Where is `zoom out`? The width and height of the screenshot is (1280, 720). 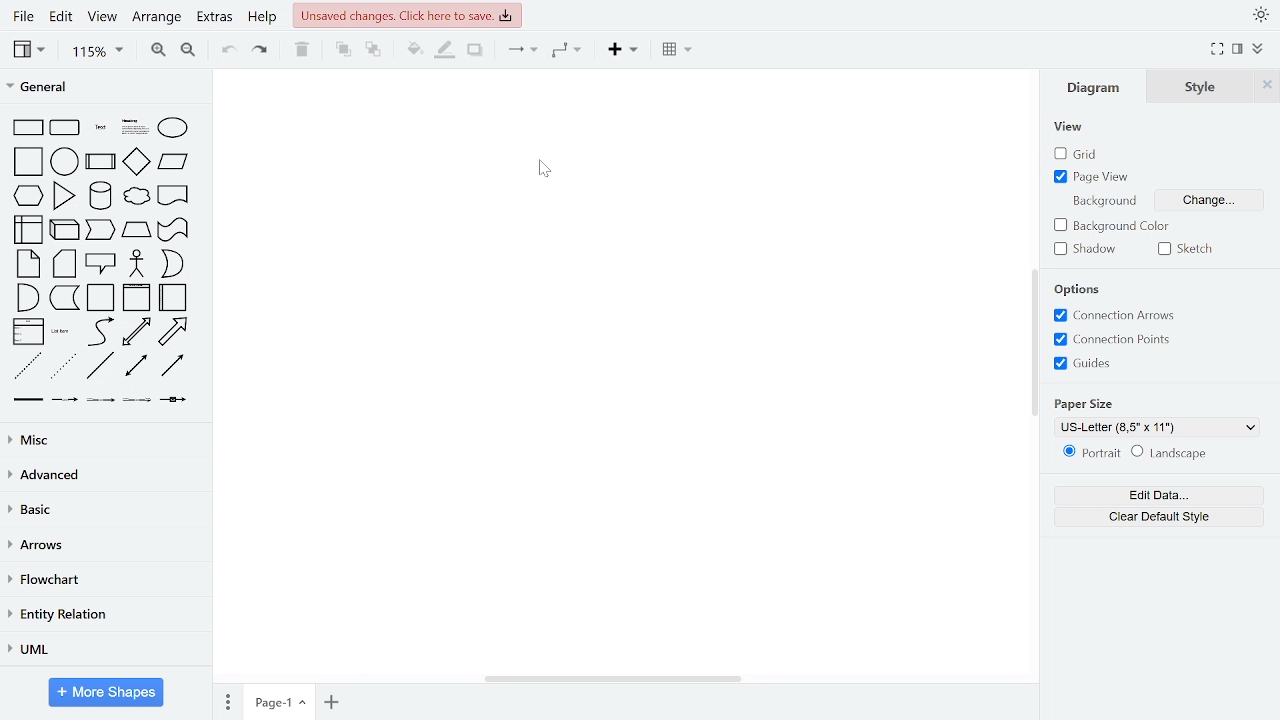
zoom out is located at coordinates (190, 51).